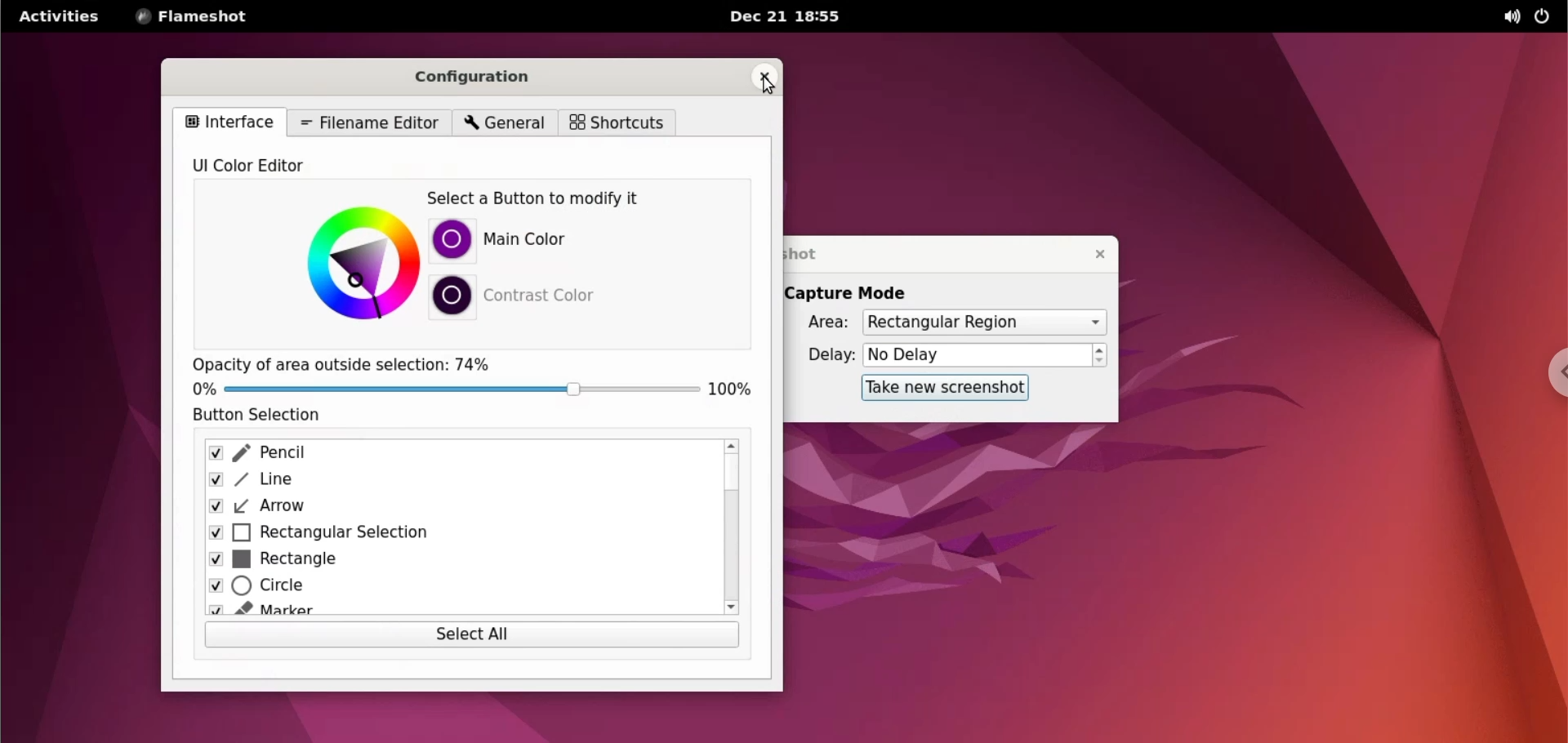 Image resolution: width=1568 pixels, height=743 pixels. I want to click on contrast color, so click(545, 293).